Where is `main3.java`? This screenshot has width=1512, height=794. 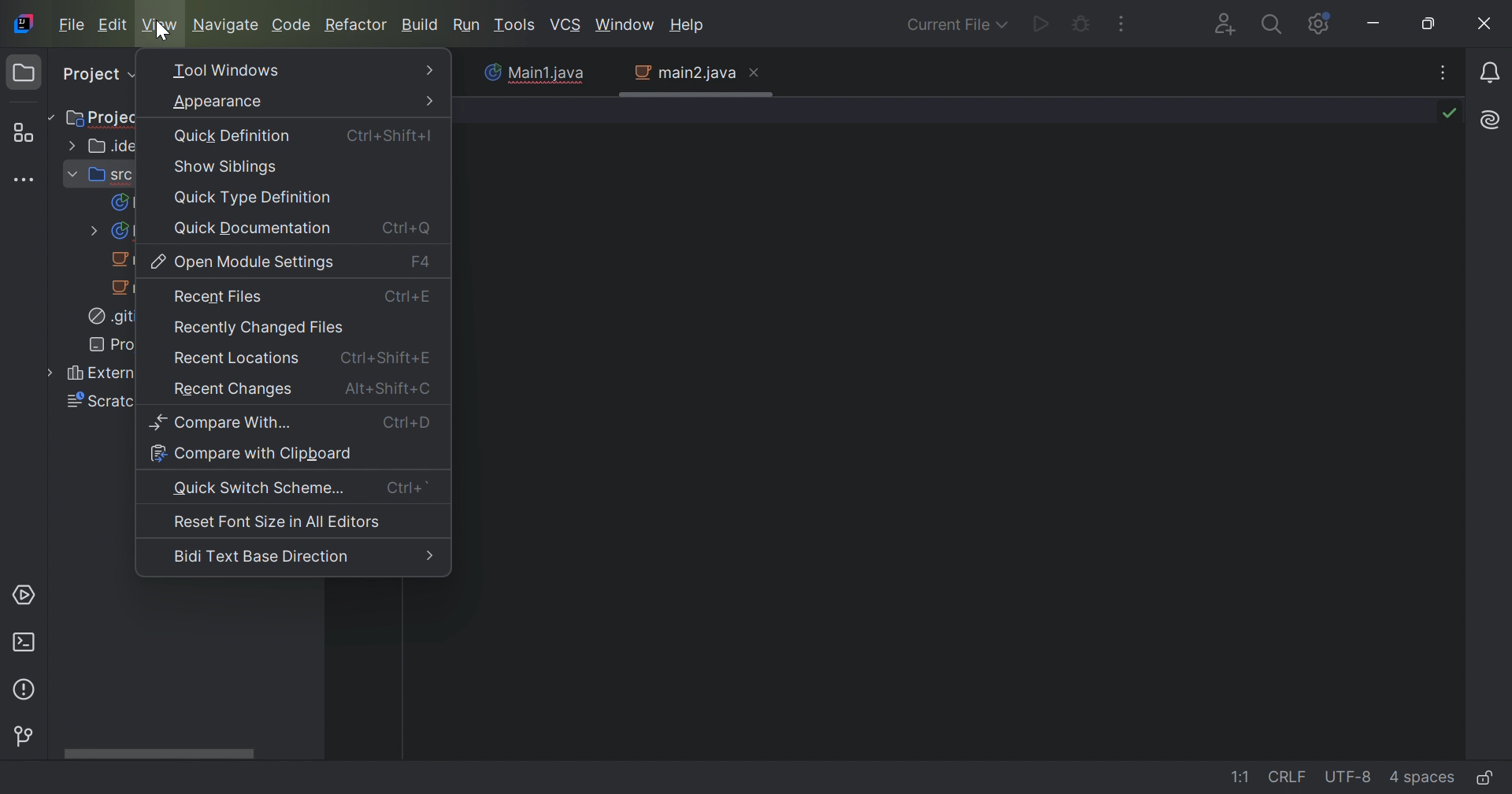 main3.java is located at coordinates (123, 288).